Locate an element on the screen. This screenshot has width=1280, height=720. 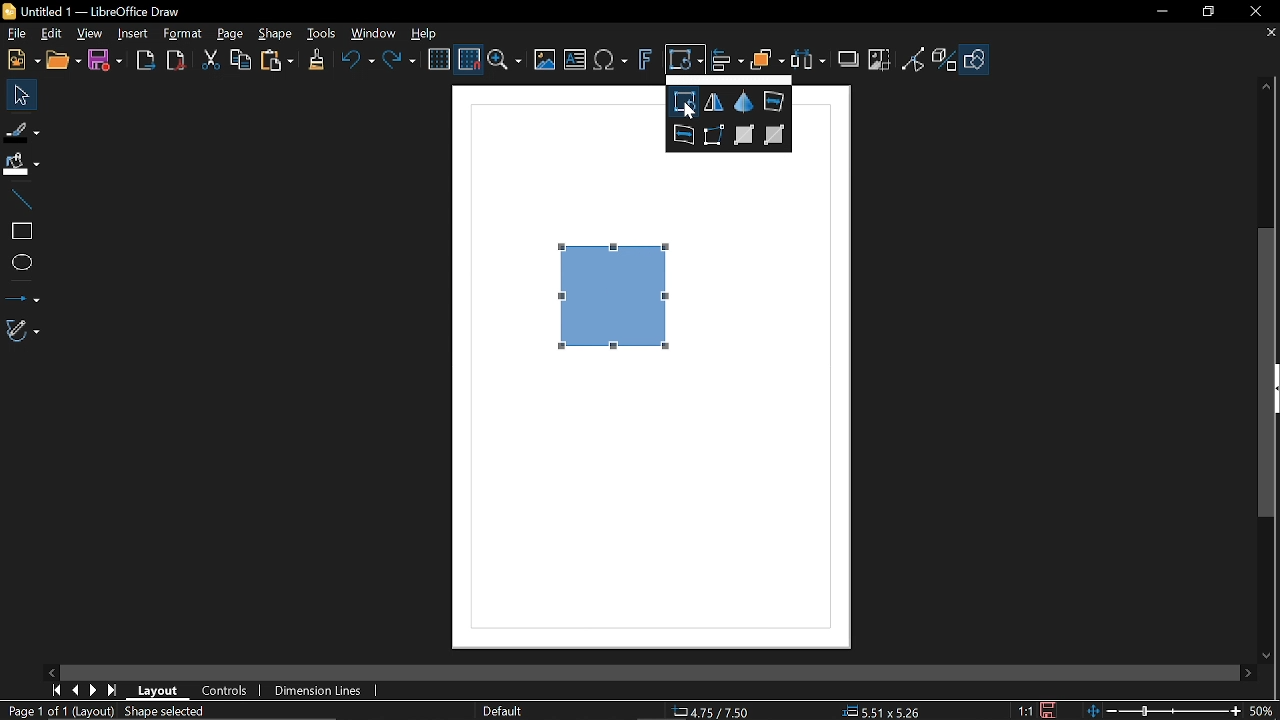
Display grid is located at coordinates (438, 60).